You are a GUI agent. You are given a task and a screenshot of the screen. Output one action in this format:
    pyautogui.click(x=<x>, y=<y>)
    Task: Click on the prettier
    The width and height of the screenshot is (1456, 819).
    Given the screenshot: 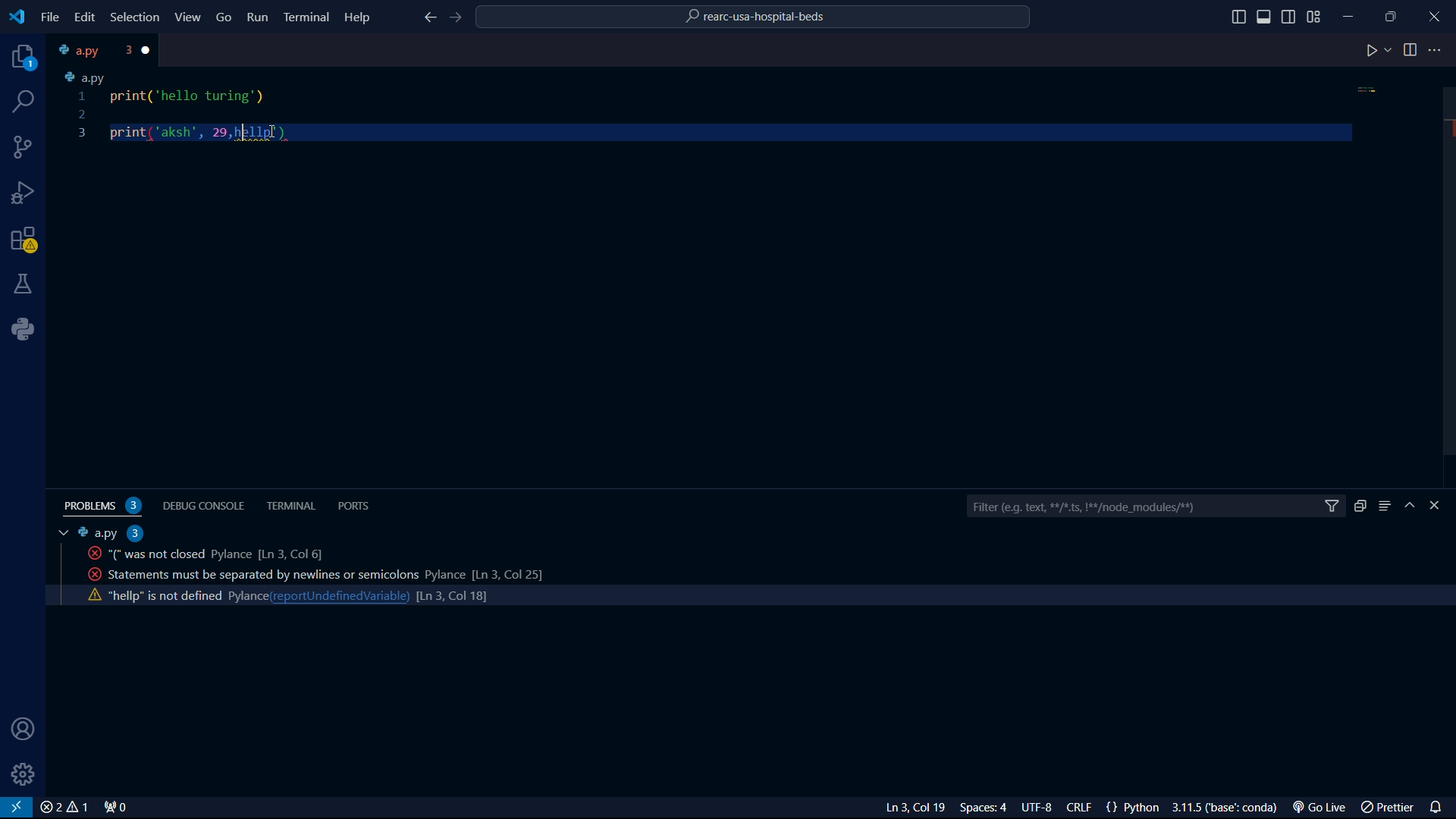 What is the action you would take?
    pyautogui.click(x=1389, y=808)
    